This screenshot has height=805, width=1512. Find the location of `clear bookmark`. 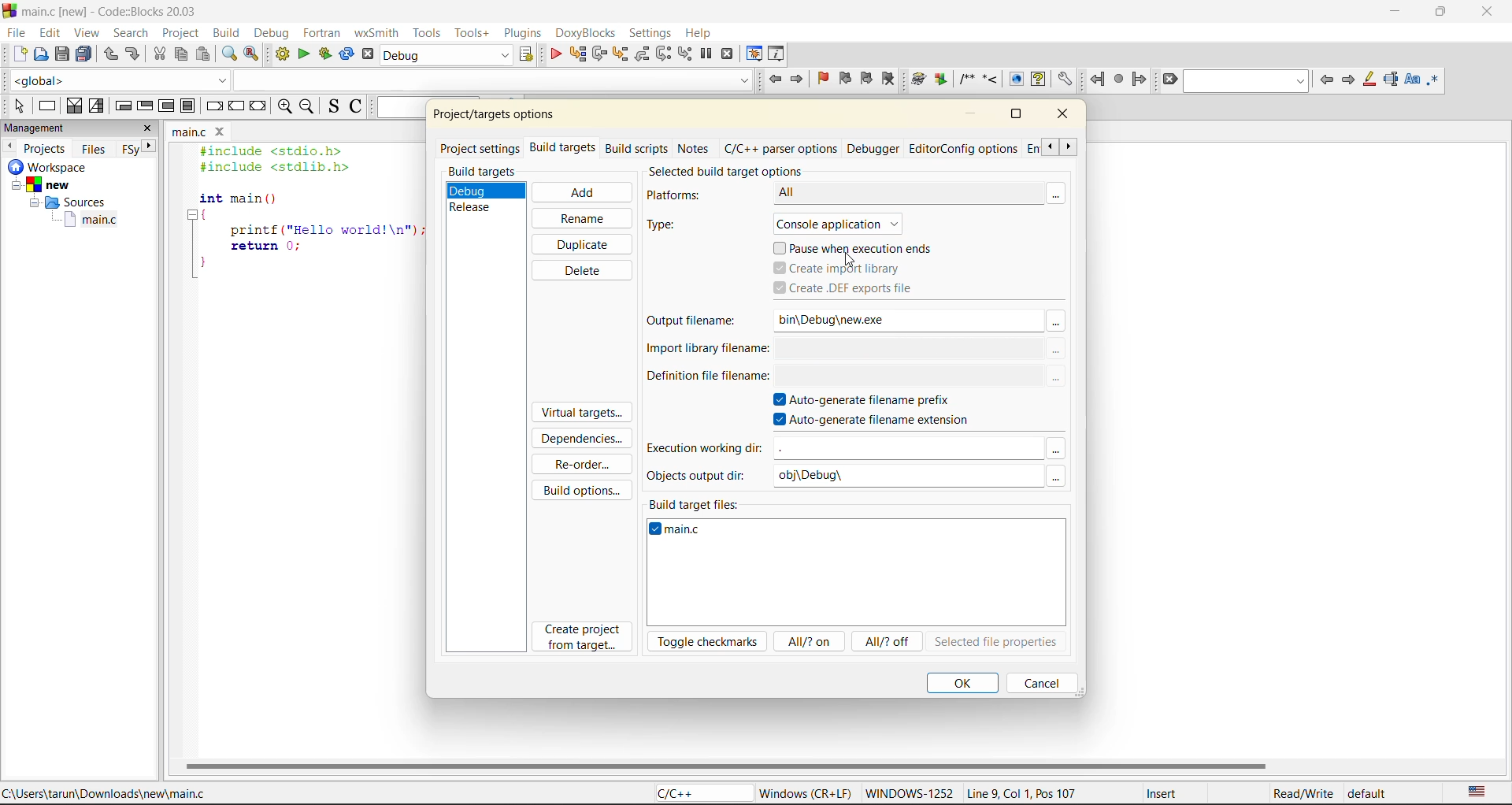

clear bookmark is located at coordinates (888, 78).